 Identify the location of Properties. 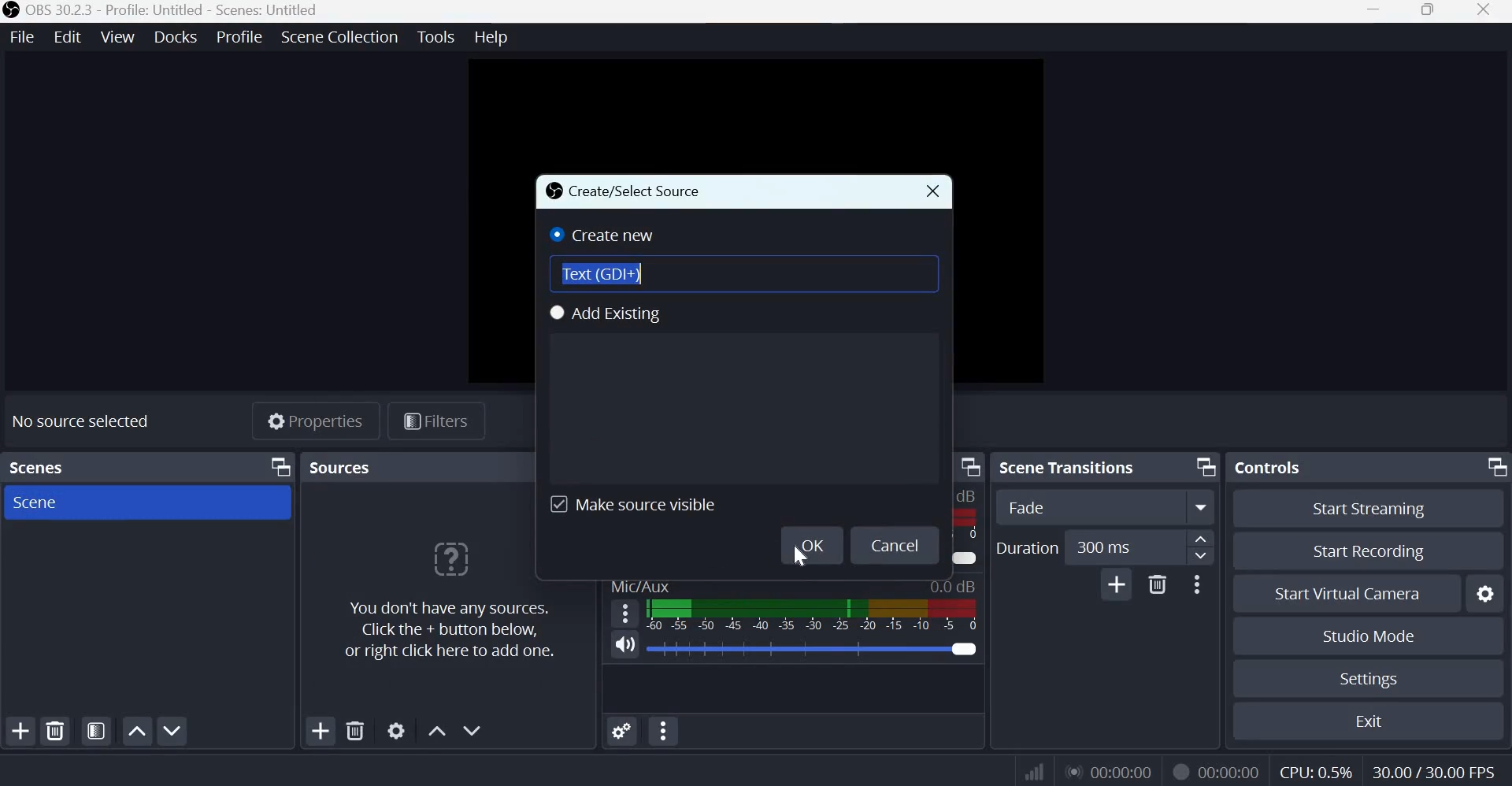
(314, 421).